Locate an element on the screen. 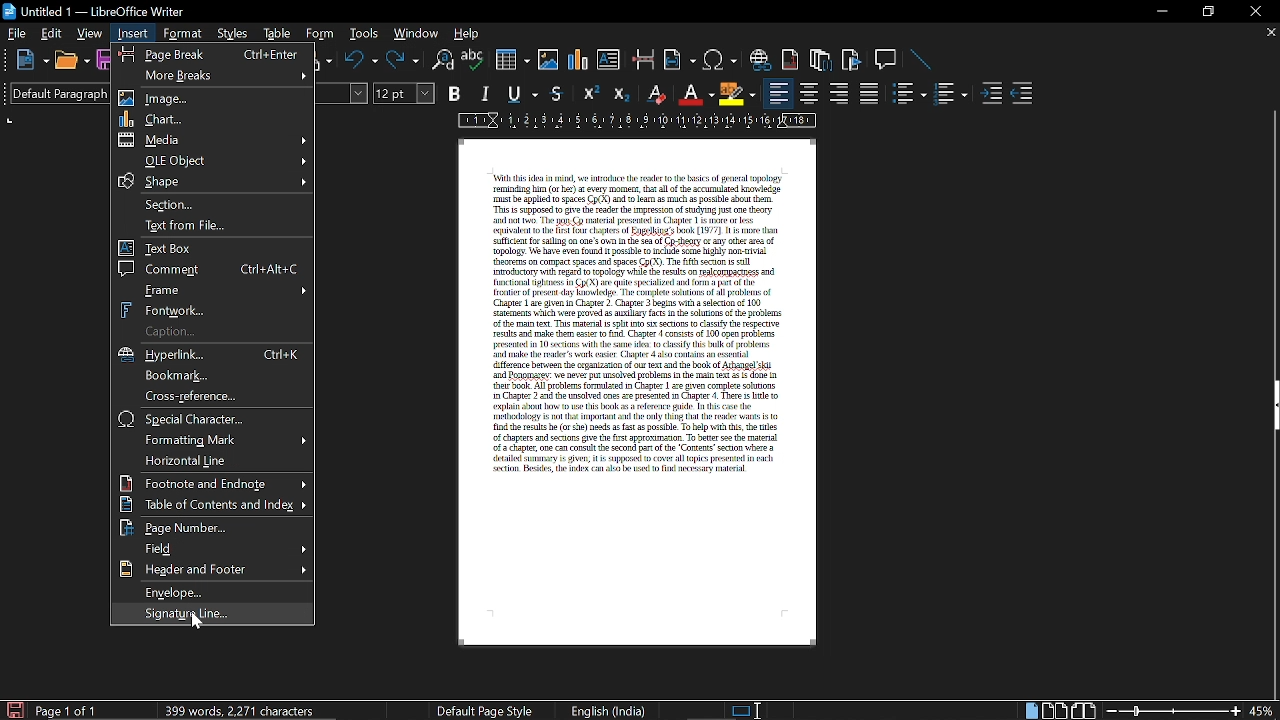 Image resolution: width=1280 pixels, height=720 pixels. increase indent is located at coordinates (993, 91).